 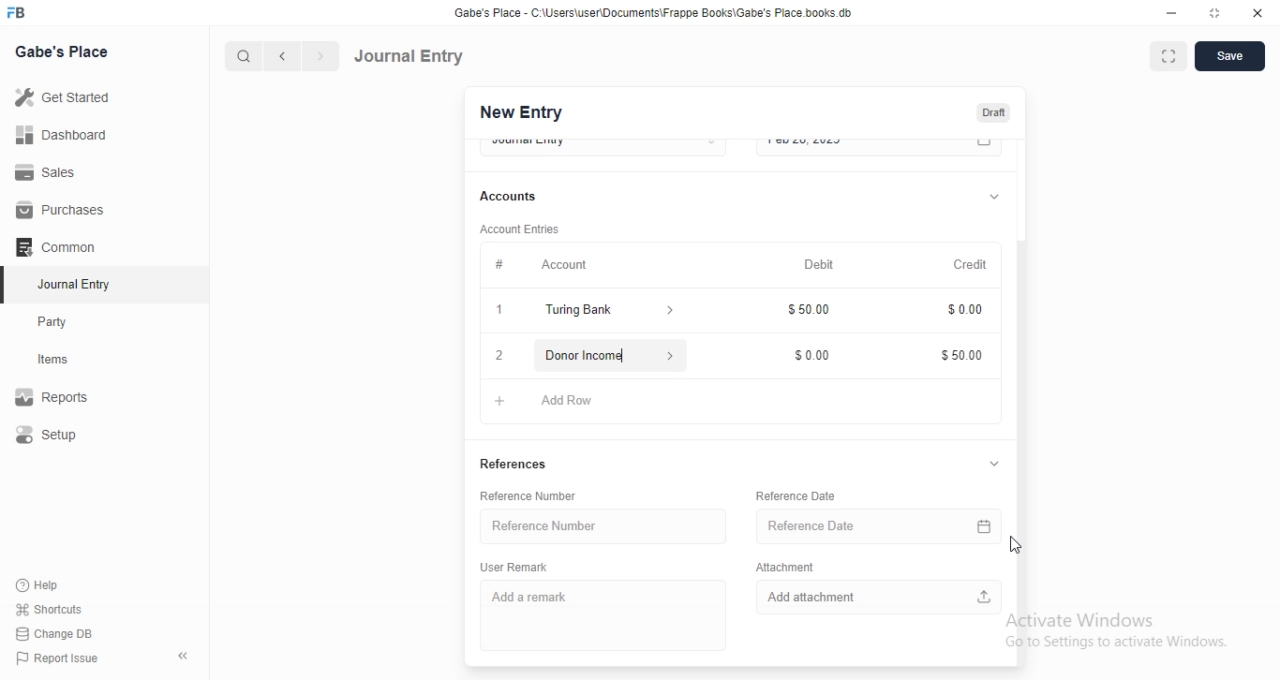 What do you see at coordinates (785, 565) in the screenshot?
I see `Attachment` at bounding box center [785, 565].